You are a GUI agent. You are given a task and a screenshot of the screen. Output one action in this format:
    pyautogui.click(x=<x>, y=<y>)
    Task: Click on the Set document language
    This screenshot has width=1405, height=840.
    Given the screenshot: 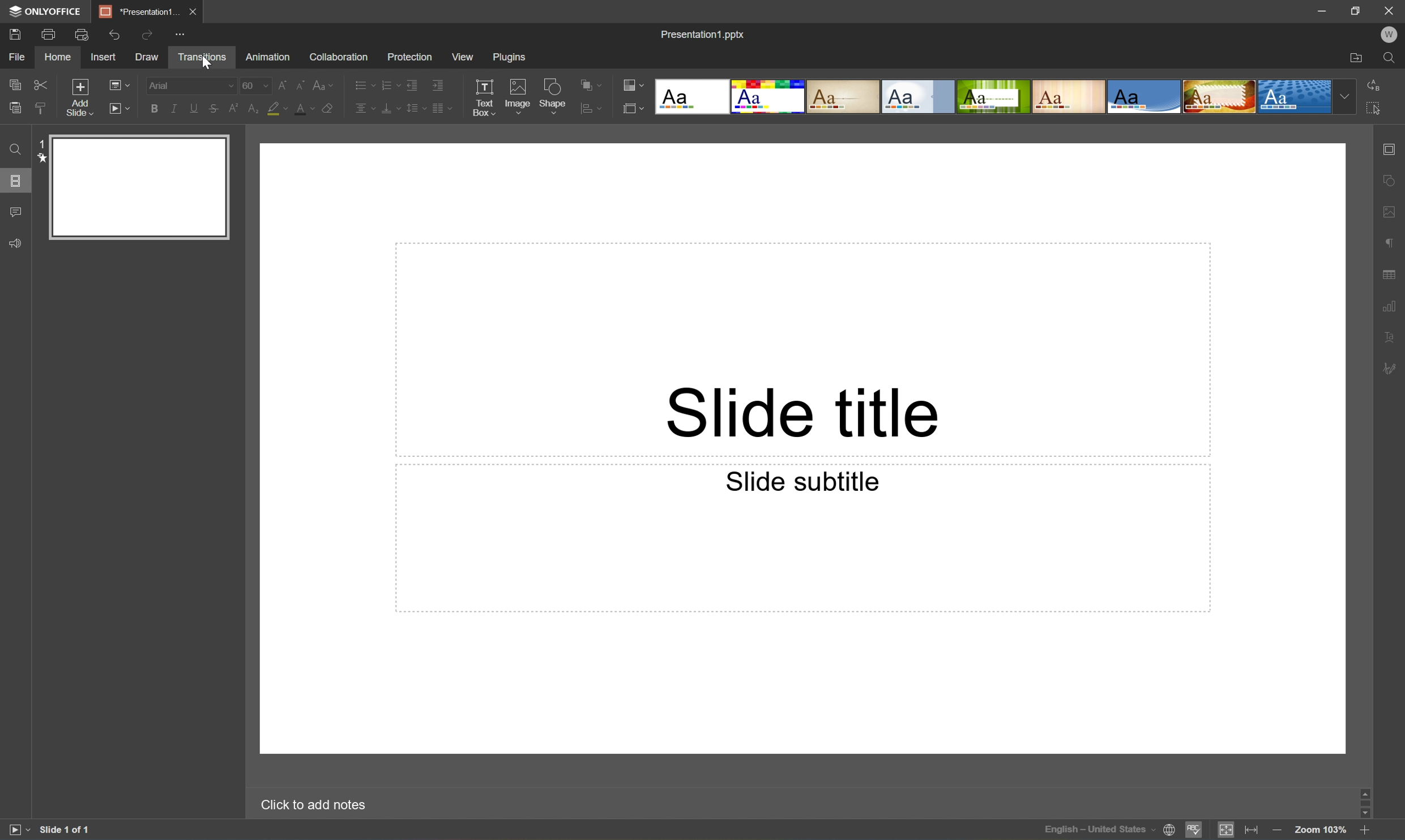 What is the action you would take?
    pyautogui.click(x=1172, y=832)
    